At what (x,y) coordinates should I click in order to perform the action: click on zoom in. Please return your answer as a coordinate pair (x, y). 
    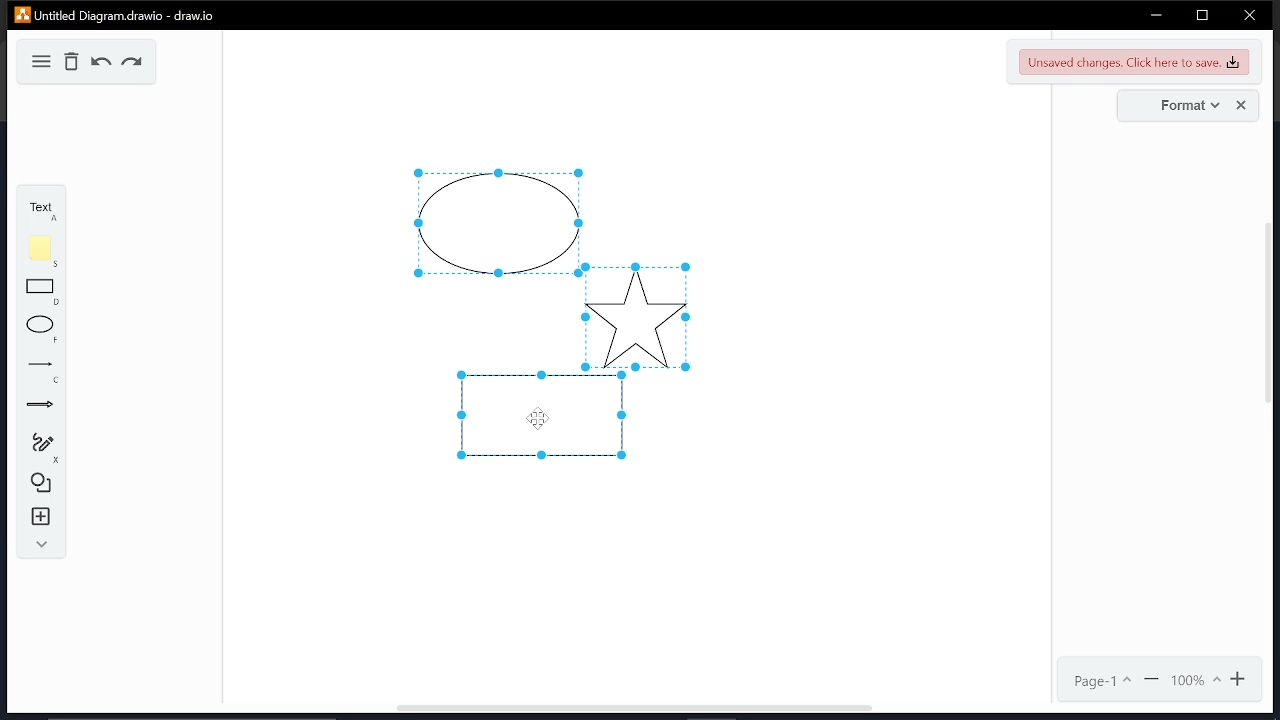
    Looking at the image, I should click on (1241, 679).